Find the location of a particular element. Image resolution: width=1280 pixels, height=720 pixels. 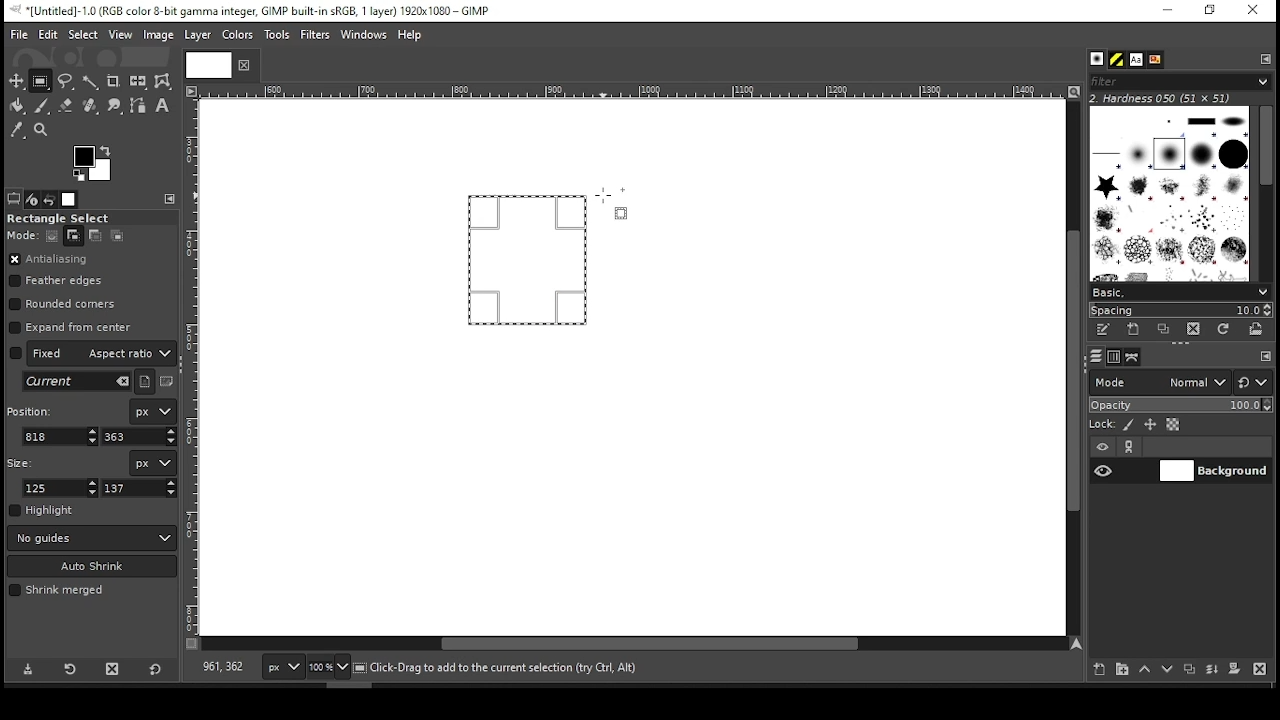

zoom level is located at coordinates (328, 669).